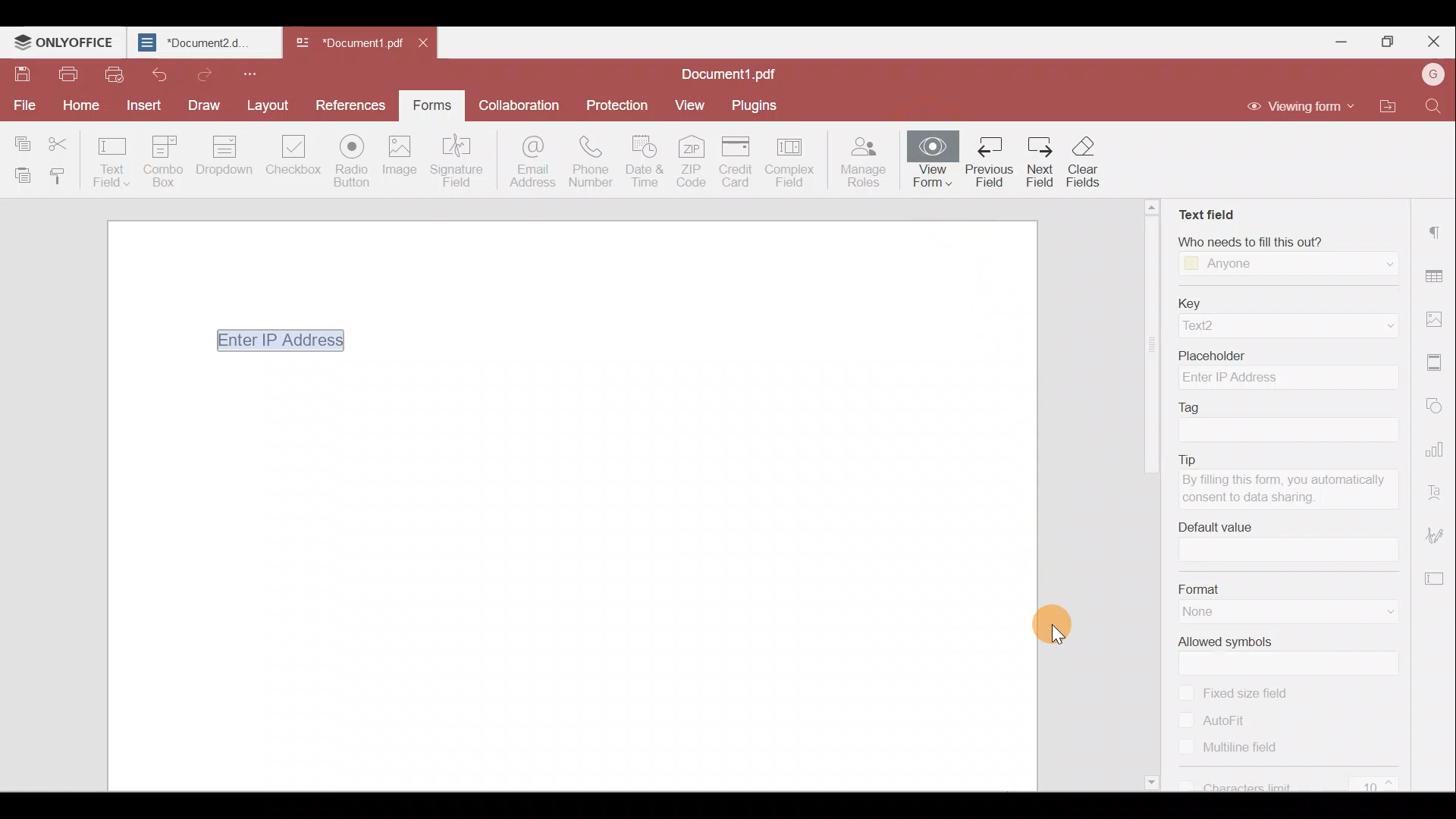 This screenshot has height=819, width=1456. Describe the element at coordinates (115, 76) in the screenshot. I see `Quick print` at that location.